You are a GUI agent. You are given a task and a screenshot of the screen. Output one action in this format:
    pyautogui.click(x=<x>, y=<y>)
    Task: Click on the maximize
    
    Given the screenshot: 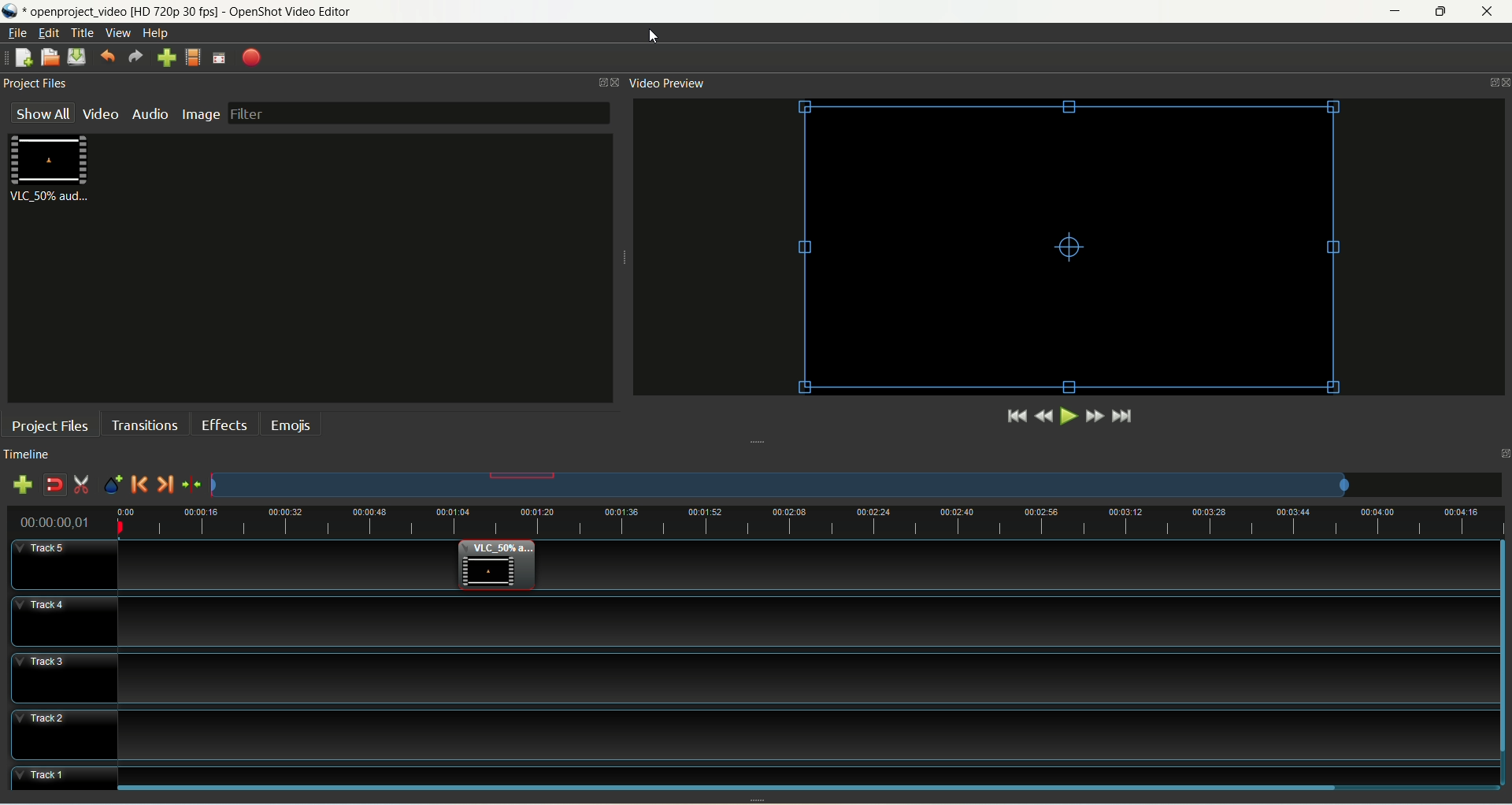 What is the action you would take?
    pyautogui.click(x=1440, y=12)
    